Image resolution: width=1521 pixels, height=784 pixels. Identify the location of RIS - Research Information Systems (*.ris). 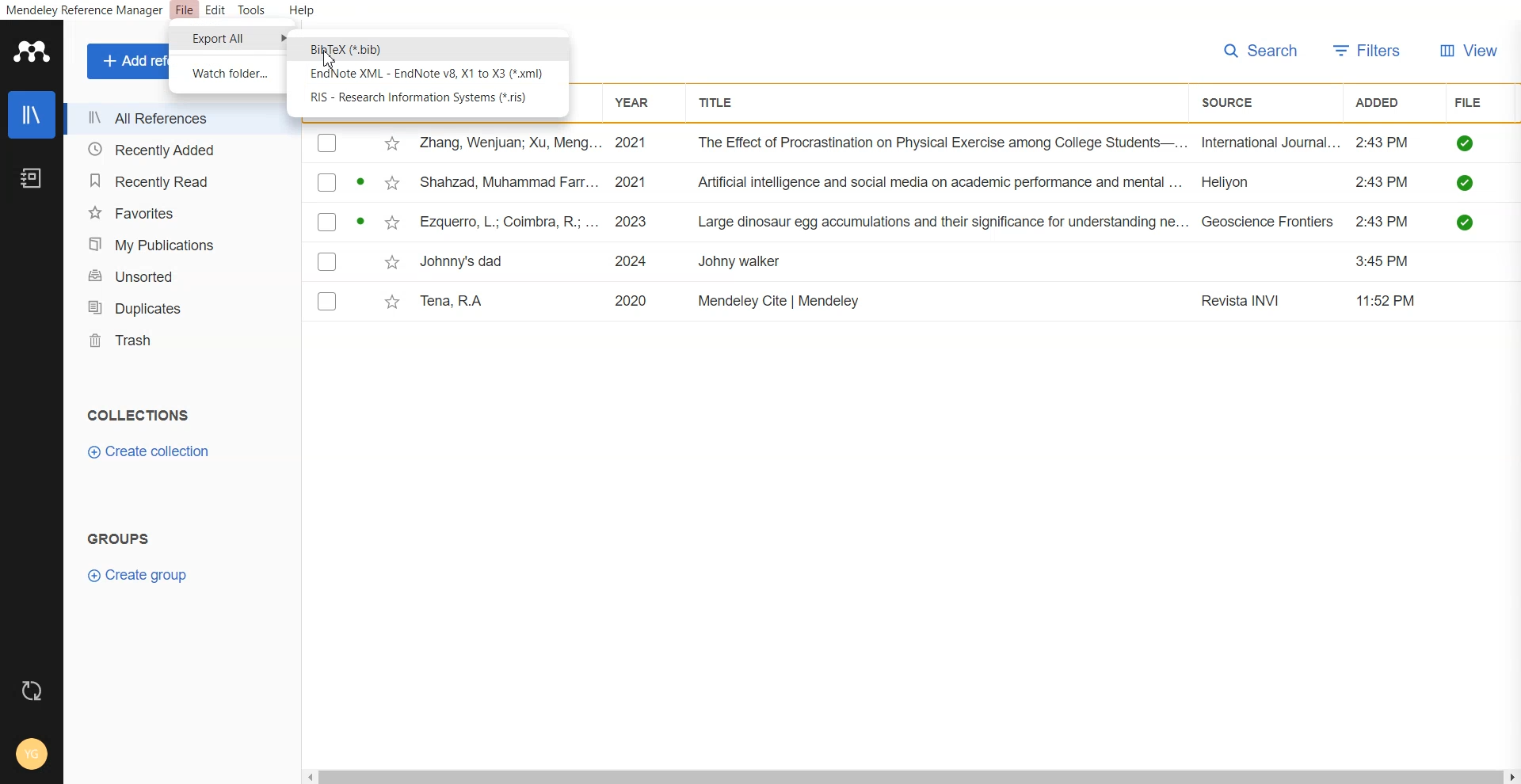
(421, 98).